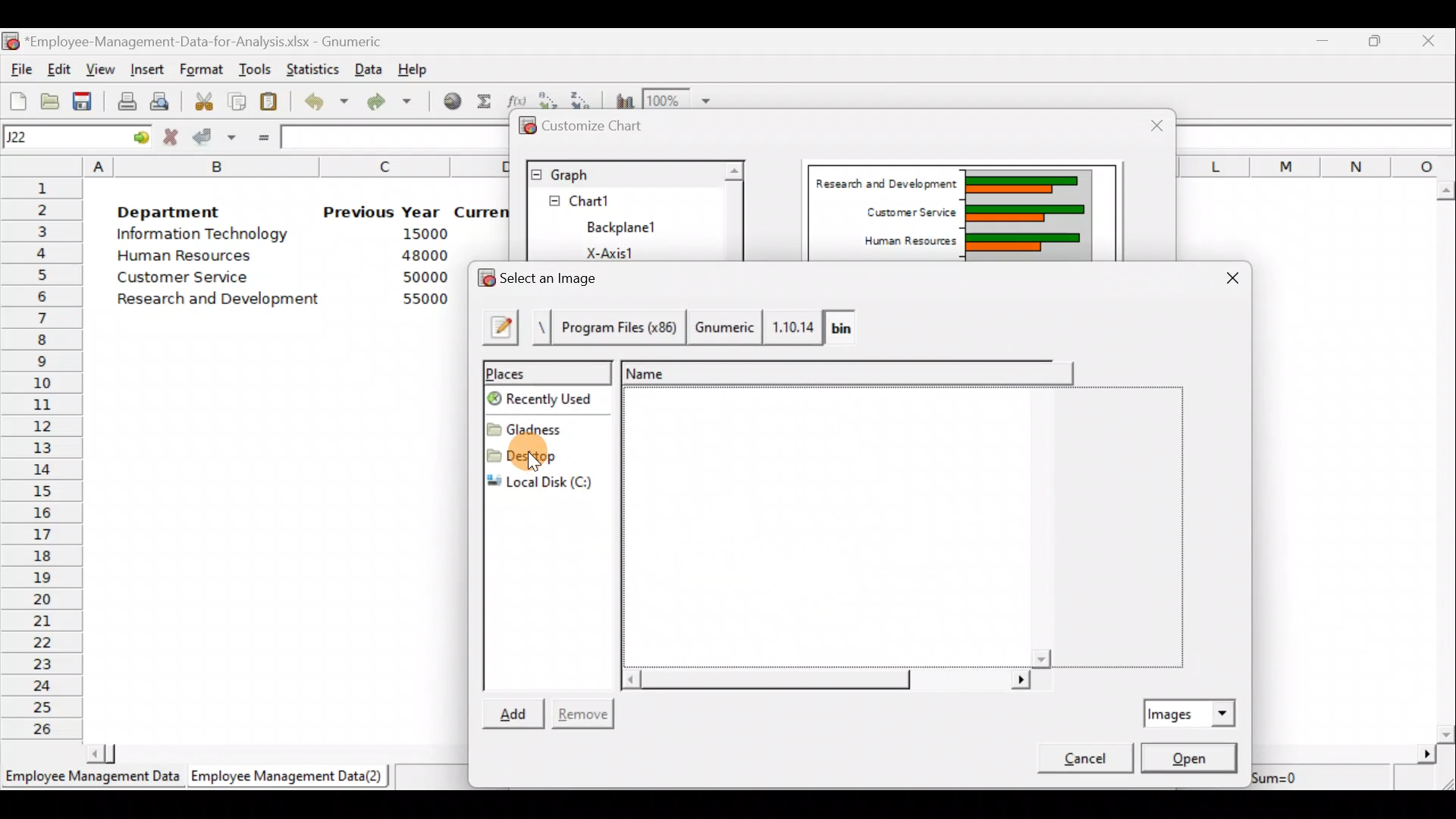  What do you see at coordinates (172, 137) in the screenshot?
I see `Cancel change` at bounding box center [172, 137].